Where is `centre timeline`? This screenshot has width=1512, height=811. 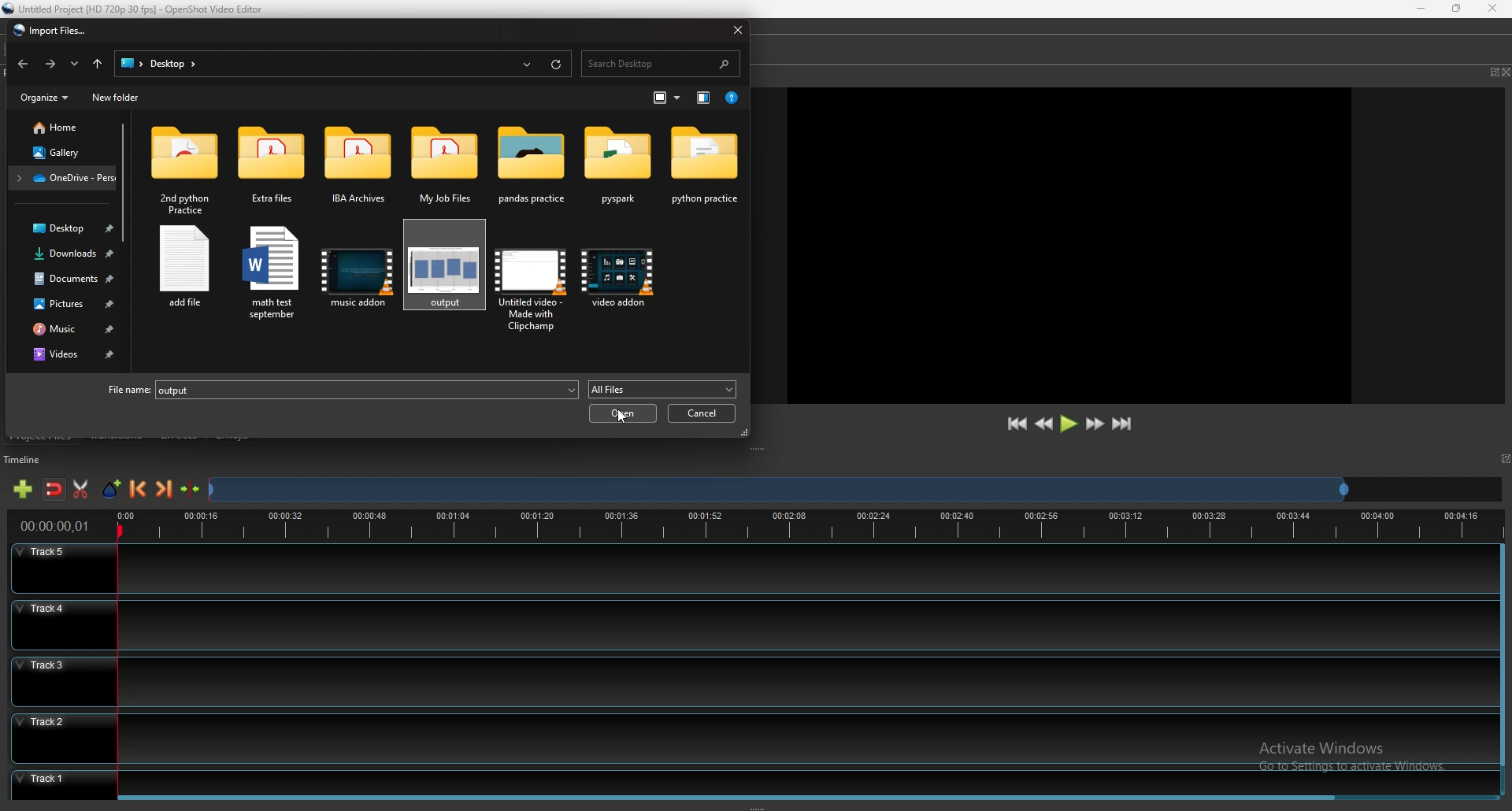
centre timeline is located at coordinates (191, 489).